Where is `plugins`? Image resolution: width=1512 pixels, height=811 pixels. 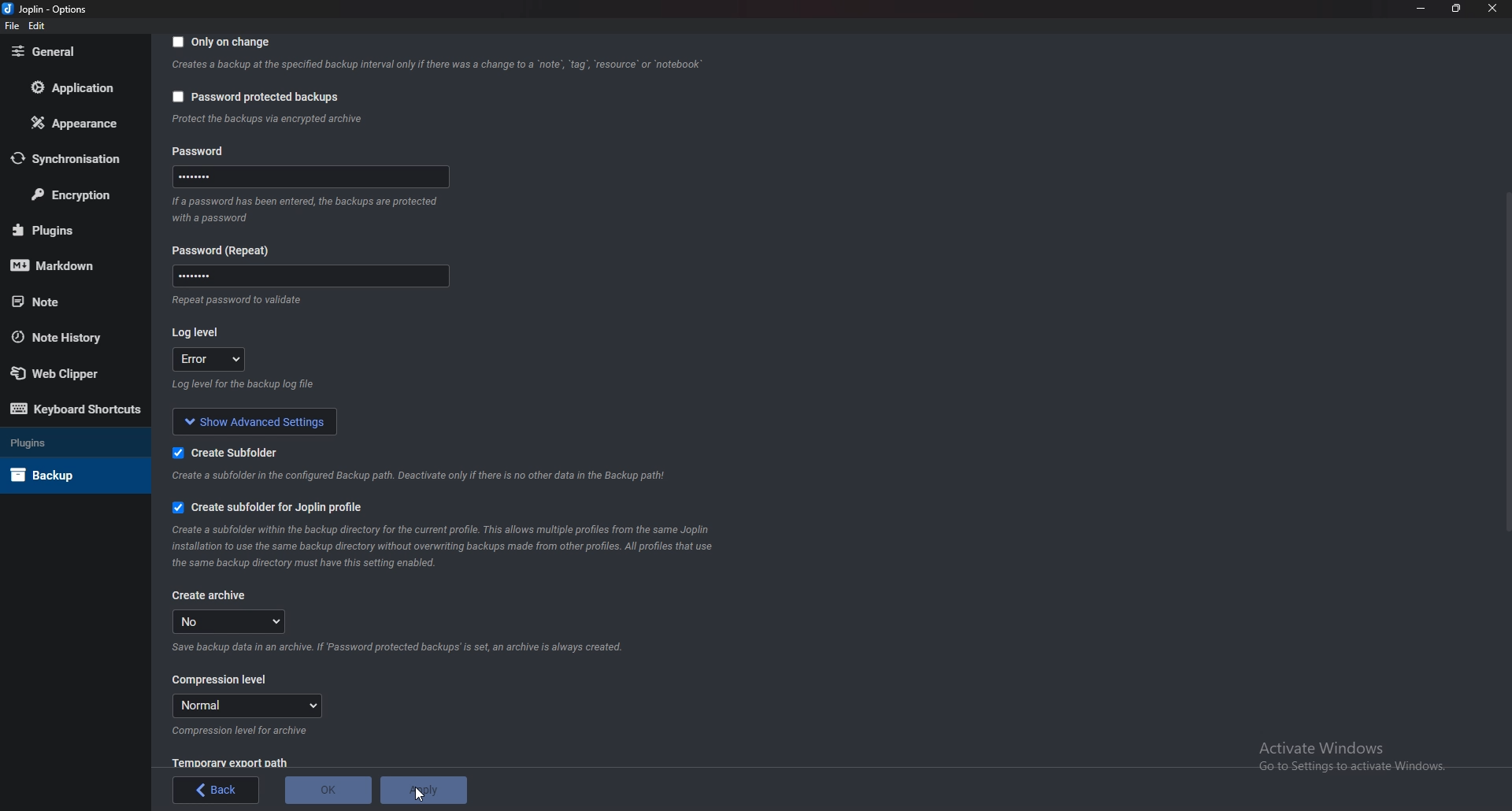 plugins is located at coordinates (66, 229).